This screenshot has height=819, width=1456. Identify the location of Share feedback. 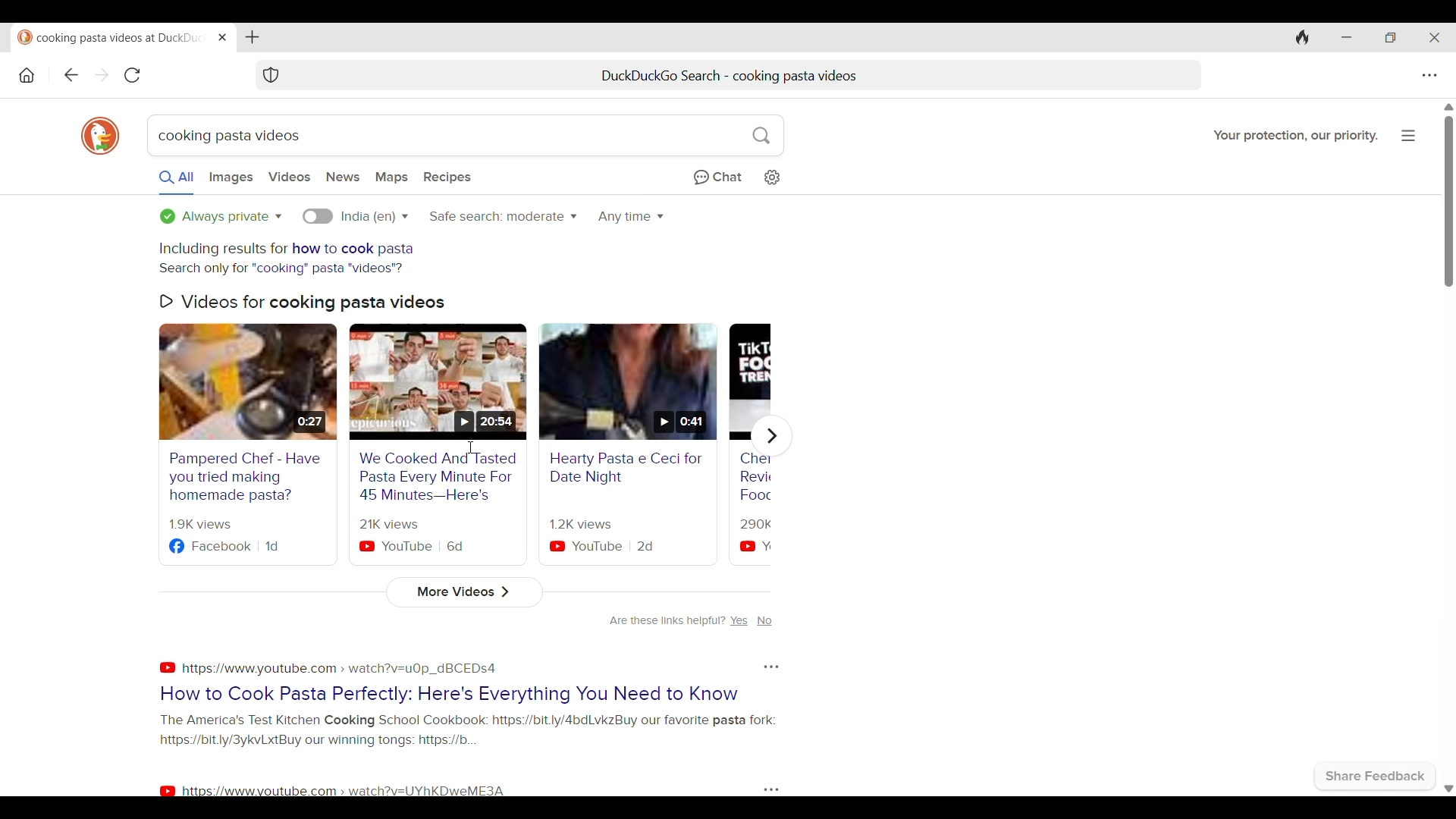
(1375, 776).